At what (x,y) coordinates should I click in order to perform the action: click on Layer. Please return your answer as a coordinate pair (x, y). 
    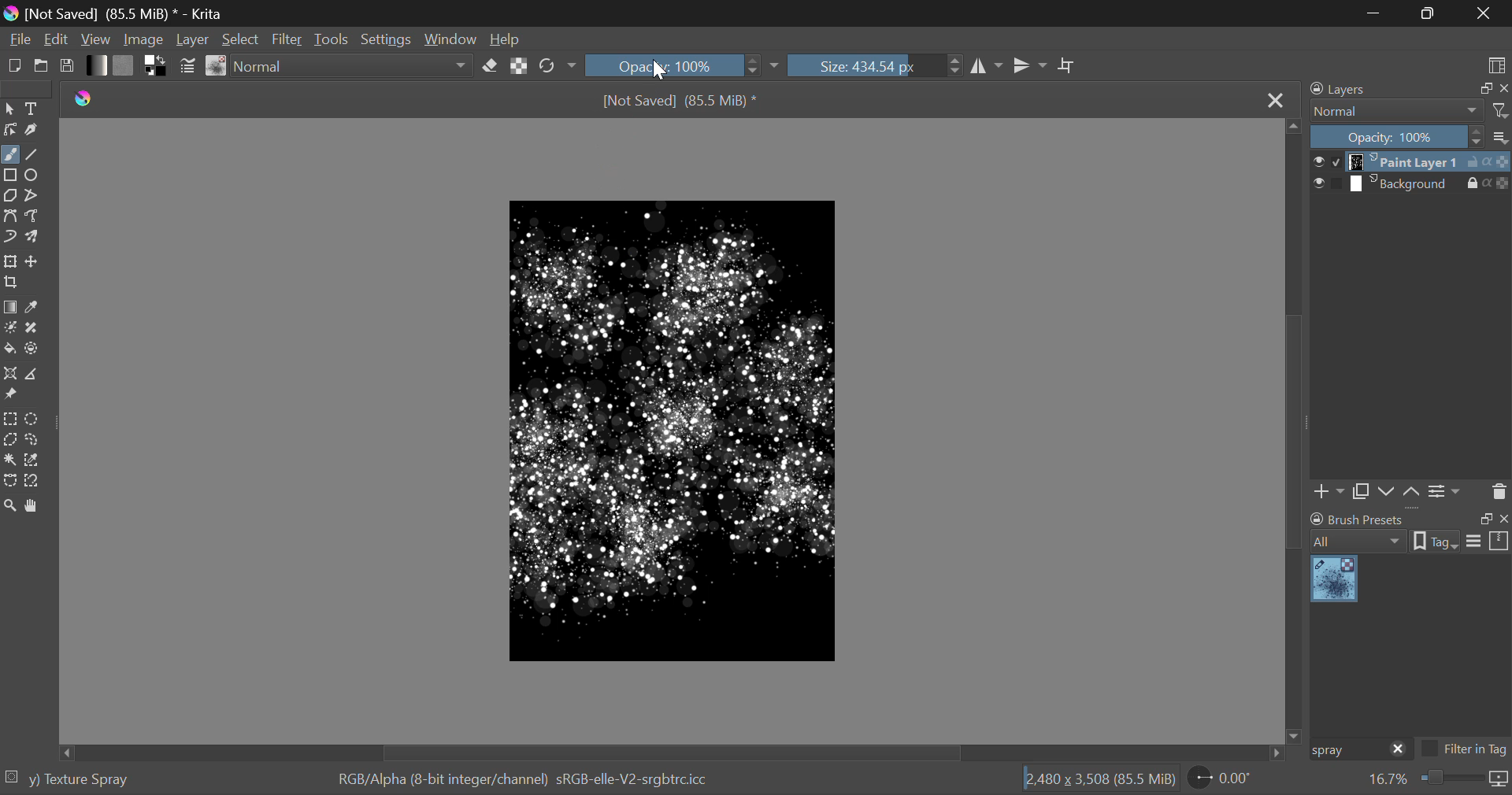
    Looking at the image, I should click on (194, 39).